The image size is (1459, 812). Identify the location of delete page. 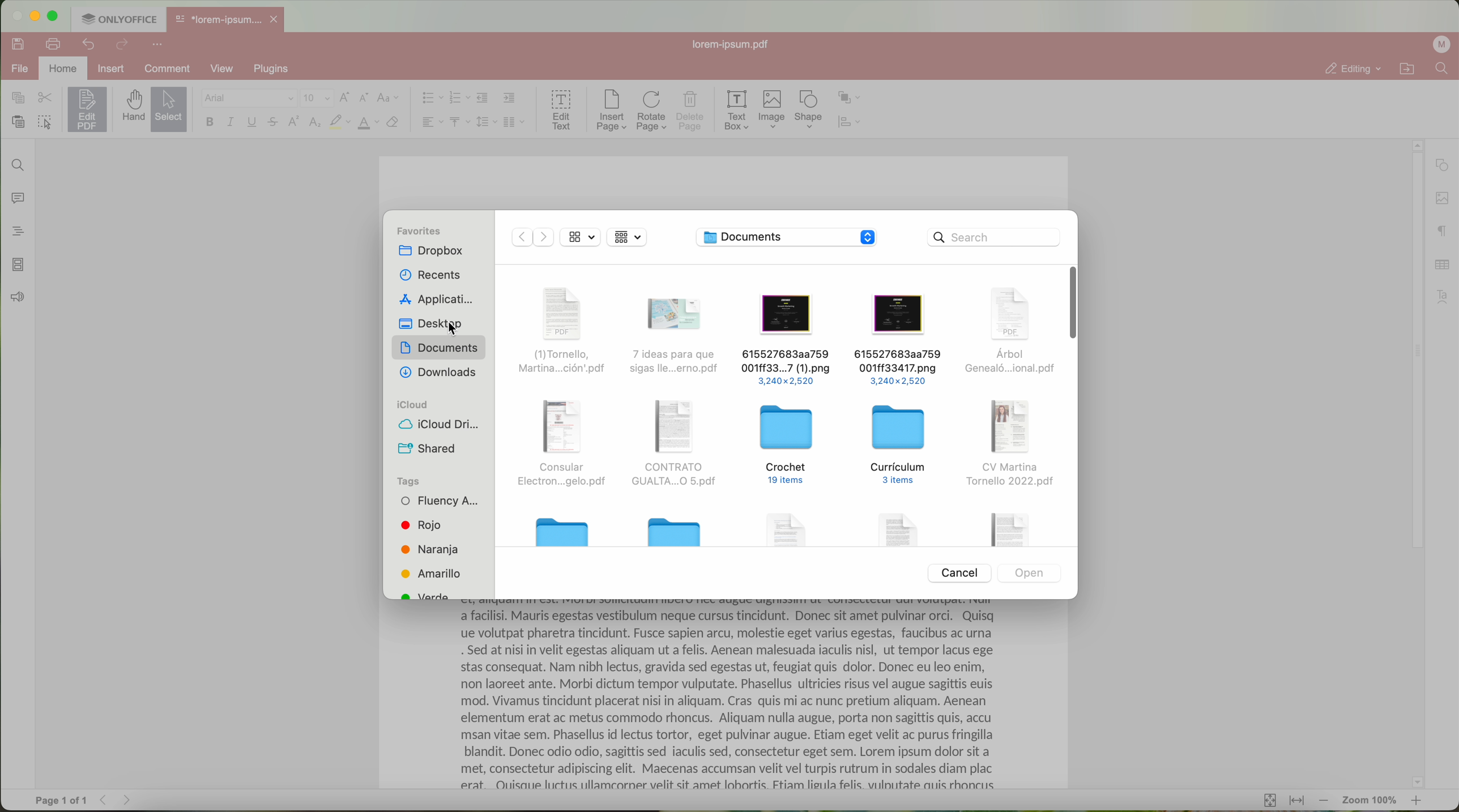
(691, 113).